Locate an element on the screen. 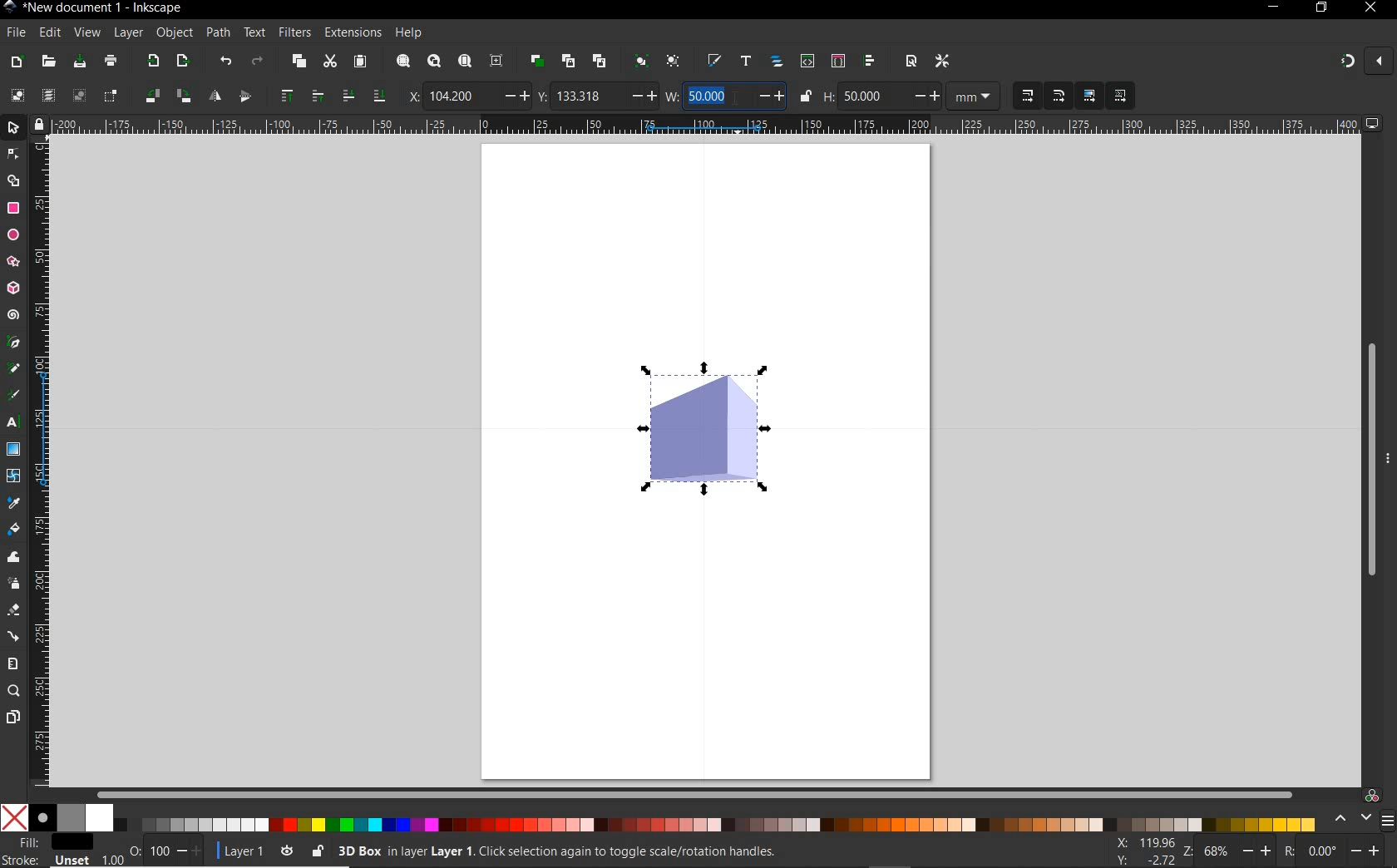 The width and height of the screenshot is (1397, 868). more options is located at coordinates (1389, 457).